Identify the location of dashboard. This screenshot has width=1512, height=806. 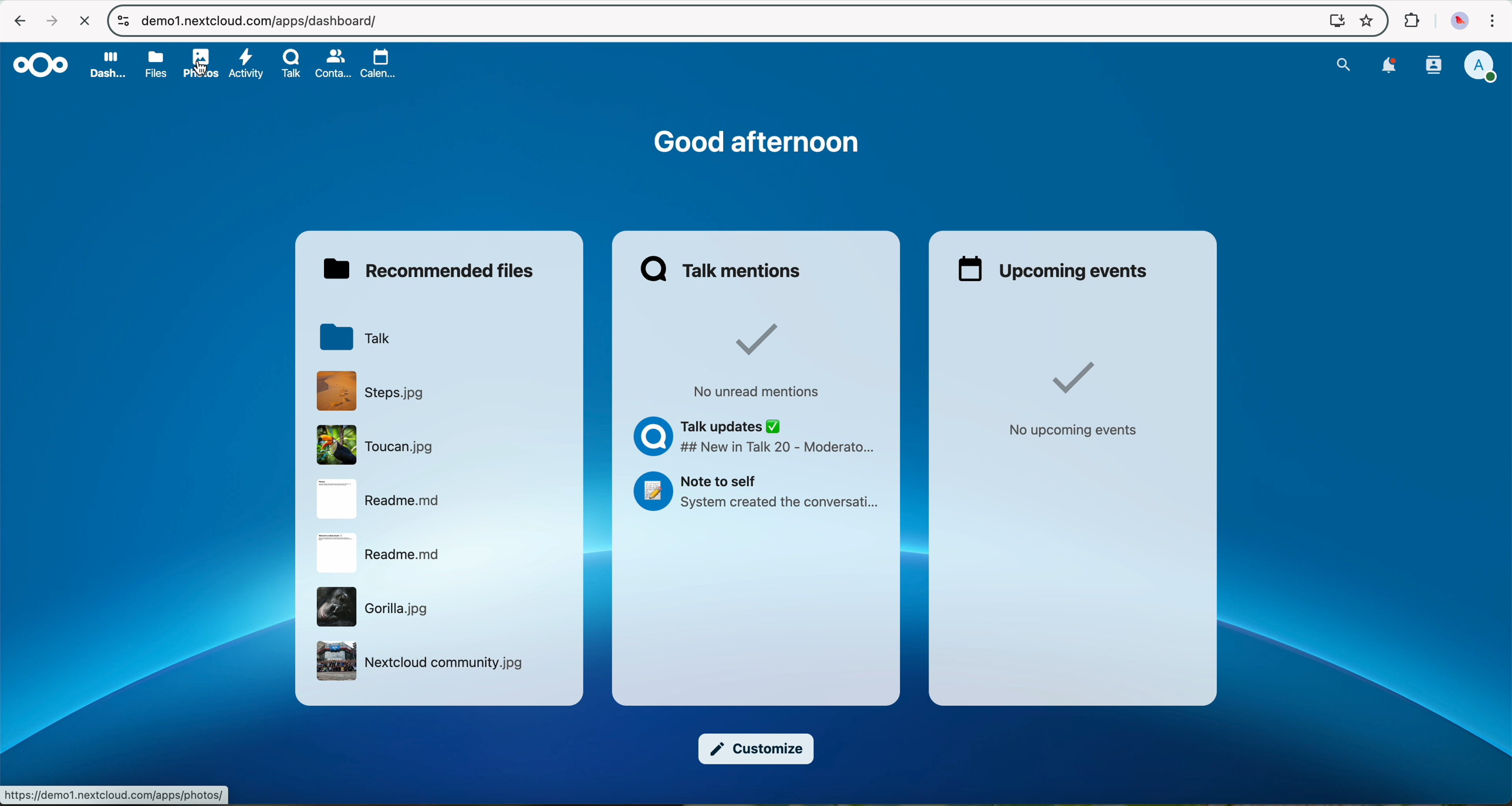
(105, 65).